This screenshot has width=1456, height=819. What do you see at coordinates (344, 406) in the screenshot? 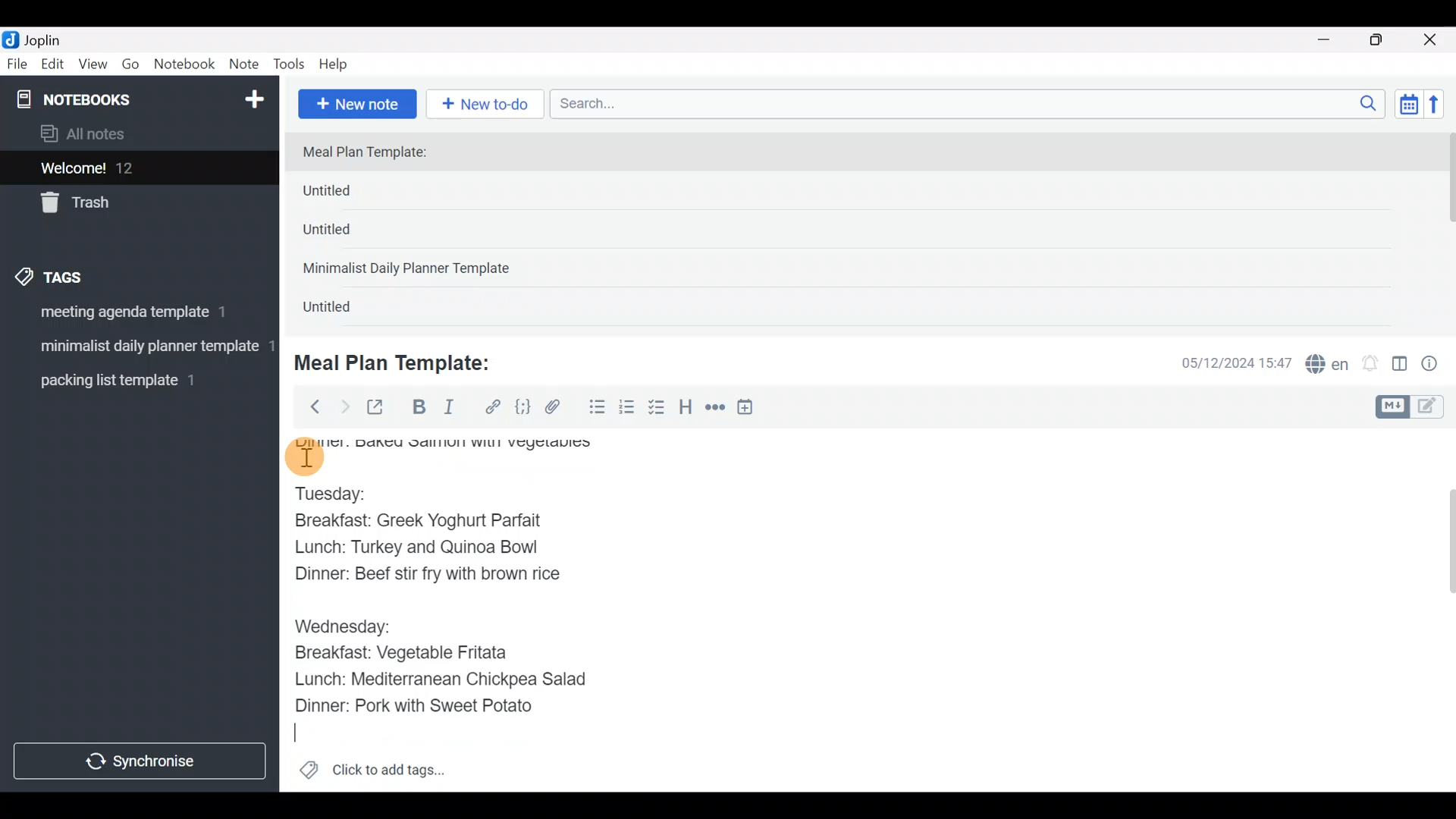
I see `Forward` at bounding box center [344, 406].